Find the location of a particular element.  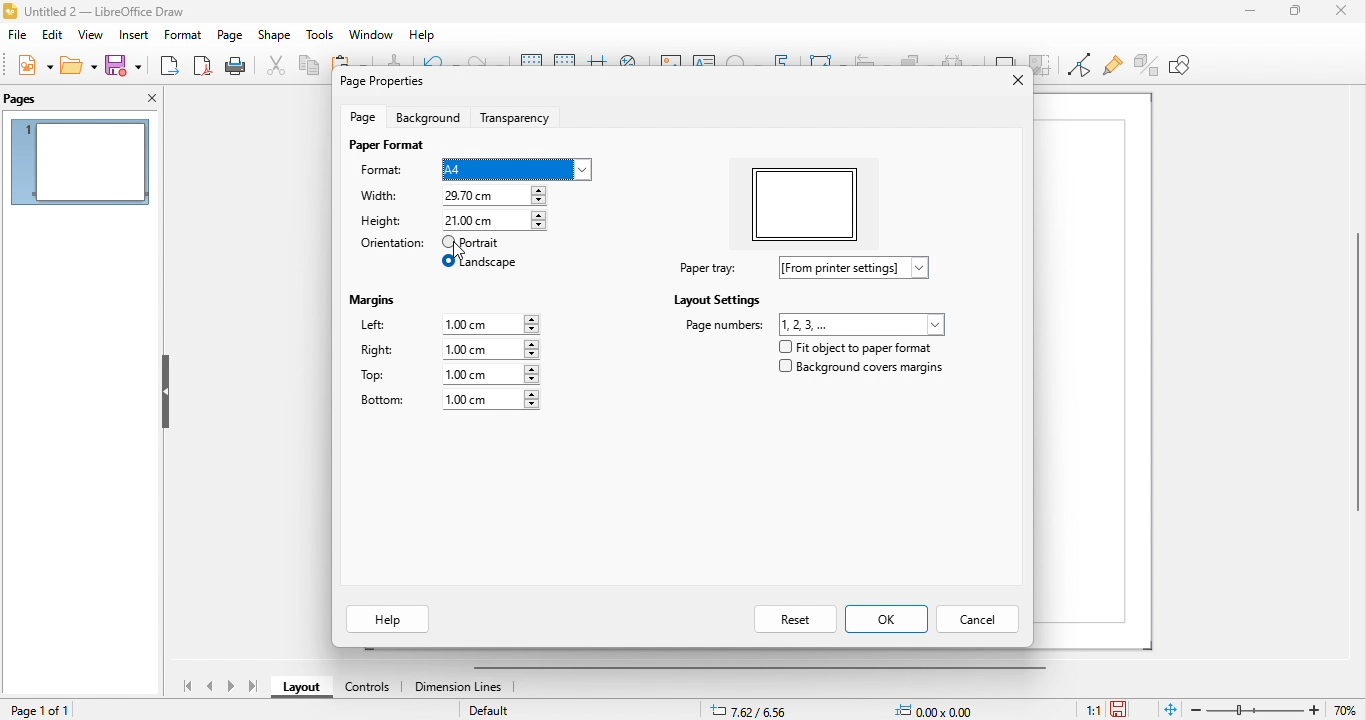

right is located at coordinates (448, 350).